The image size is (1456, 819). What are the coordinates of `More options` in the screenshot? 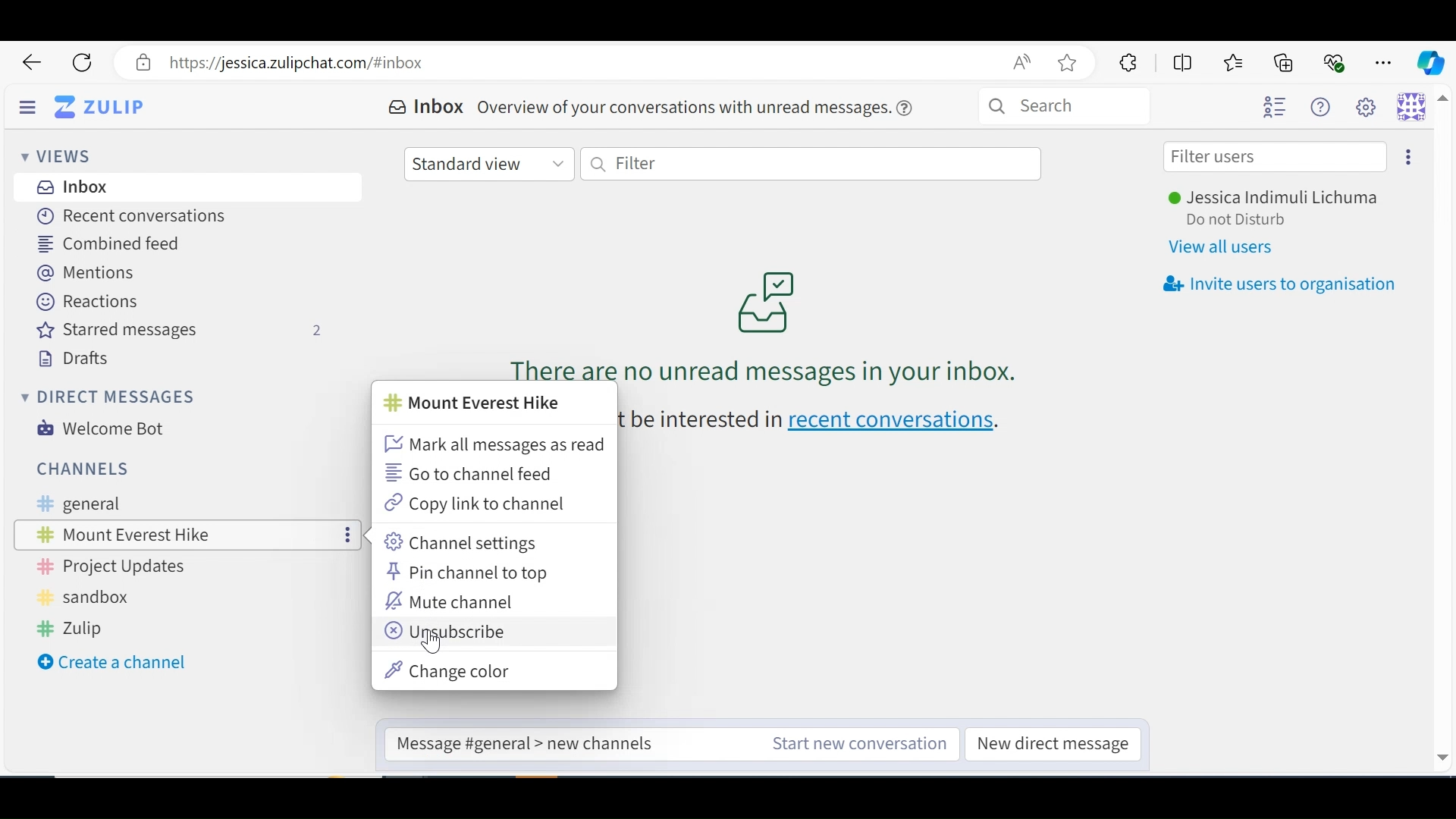 It's located at (1404, 155).